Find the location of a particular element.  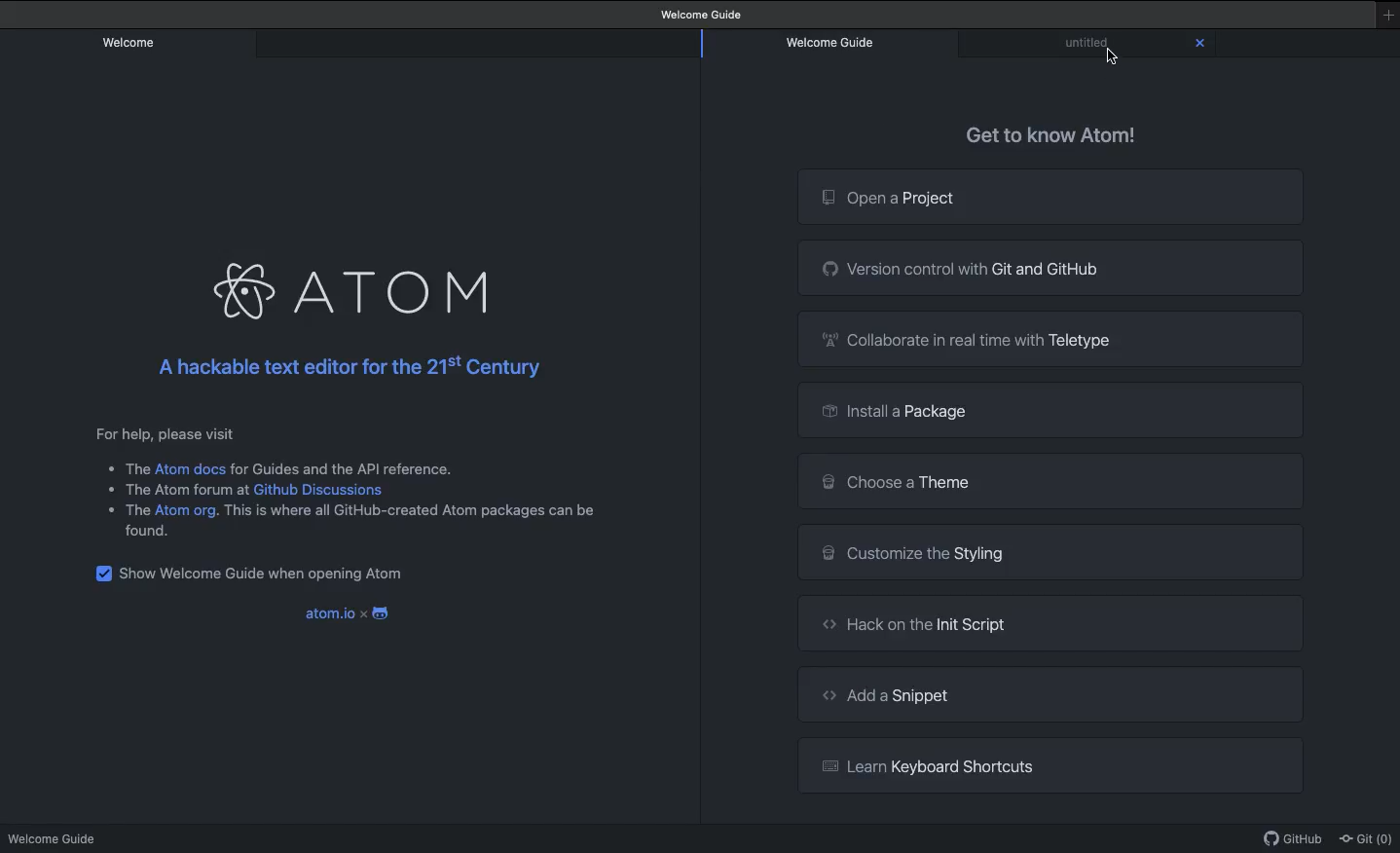

Welcome guide is located at coordinates (831, 44).